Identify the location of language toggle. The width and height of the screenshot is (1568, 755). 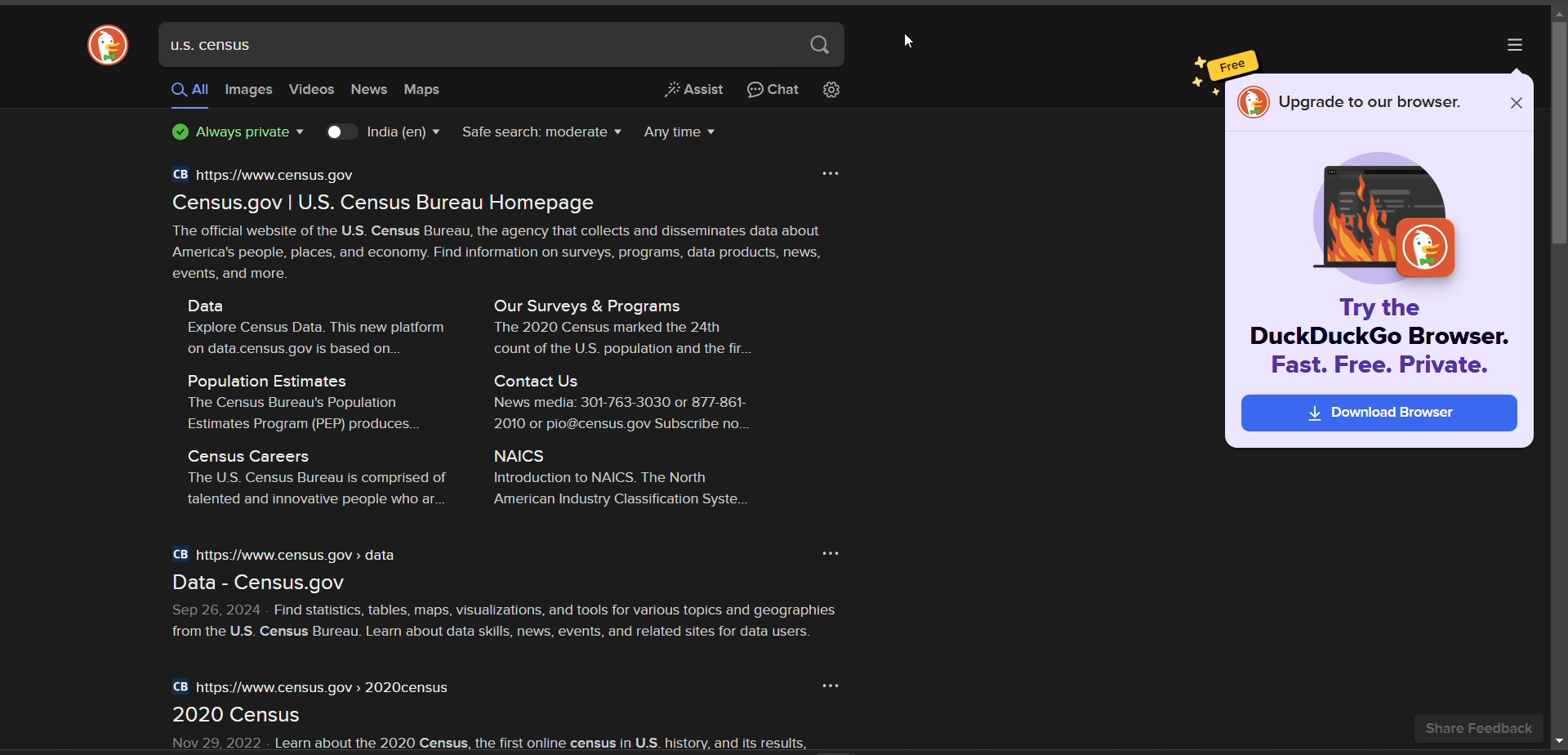
(383, 133).